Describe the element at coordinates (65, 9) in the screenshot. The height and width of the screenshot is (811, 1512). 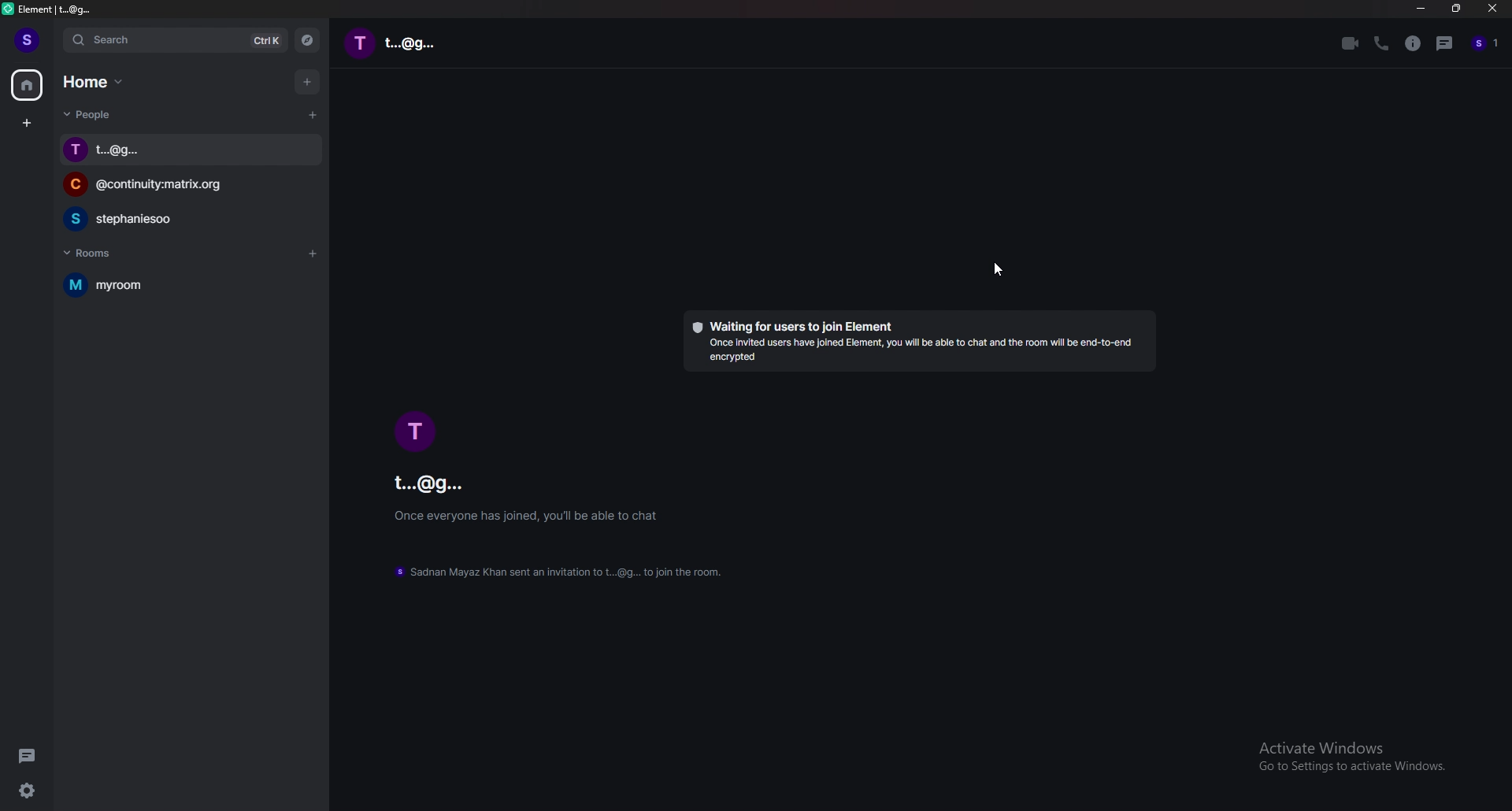
I see `element` at that location.